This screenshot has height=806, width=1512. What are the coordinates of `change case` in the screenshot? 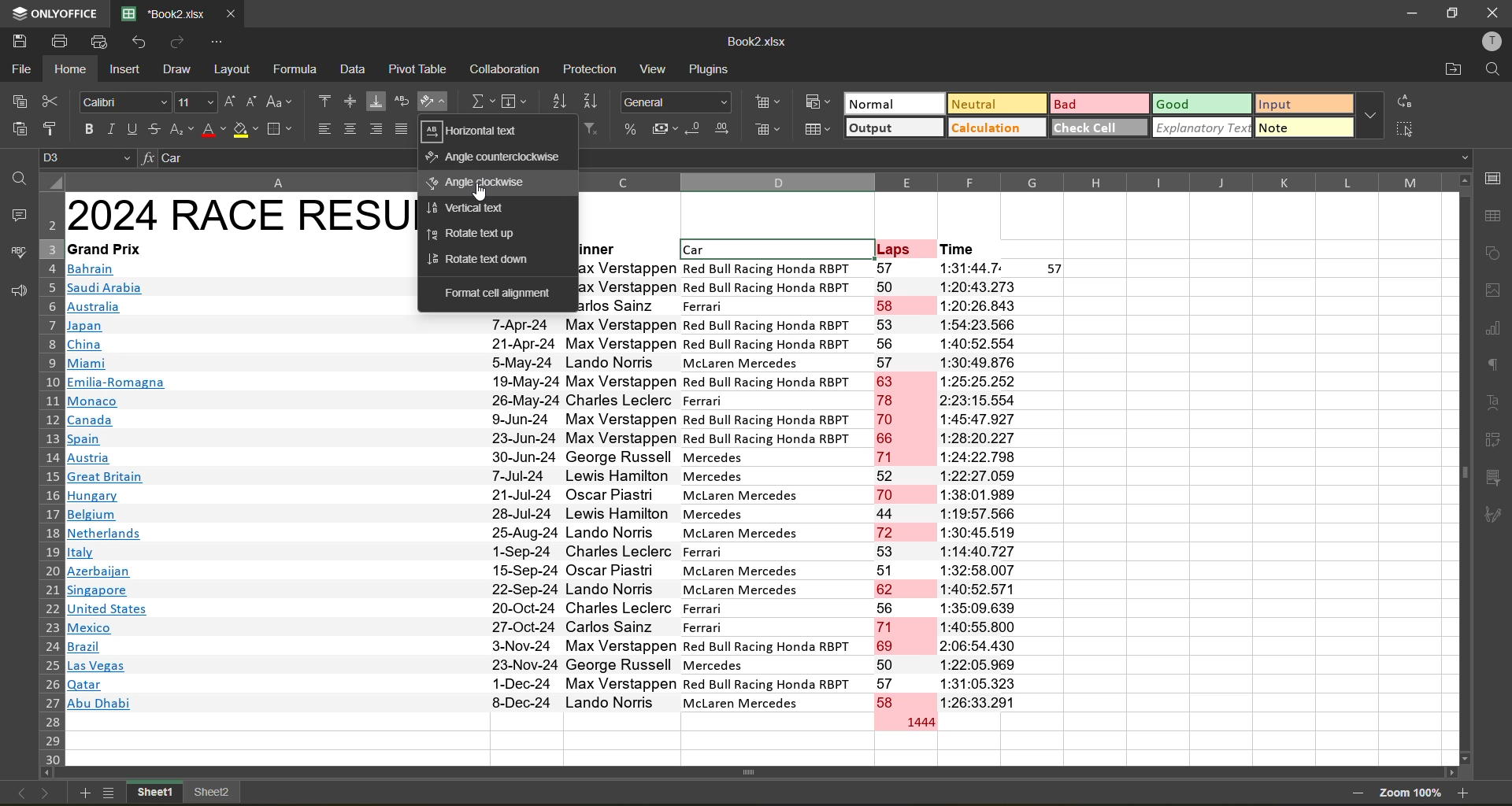 It's located at (280, 102).